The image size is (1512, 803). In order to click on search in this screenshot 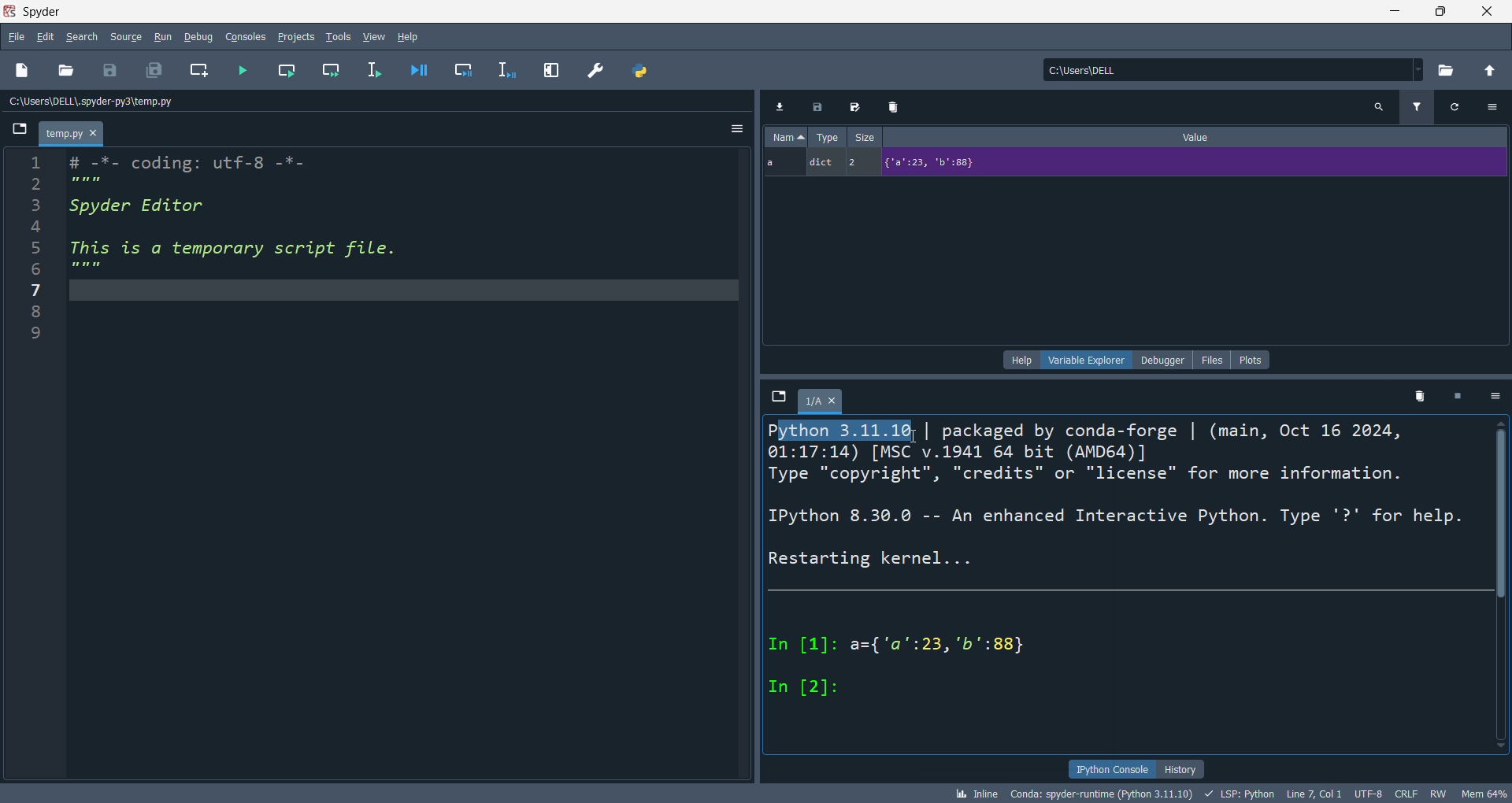, I will do `click(1381, 107)`.